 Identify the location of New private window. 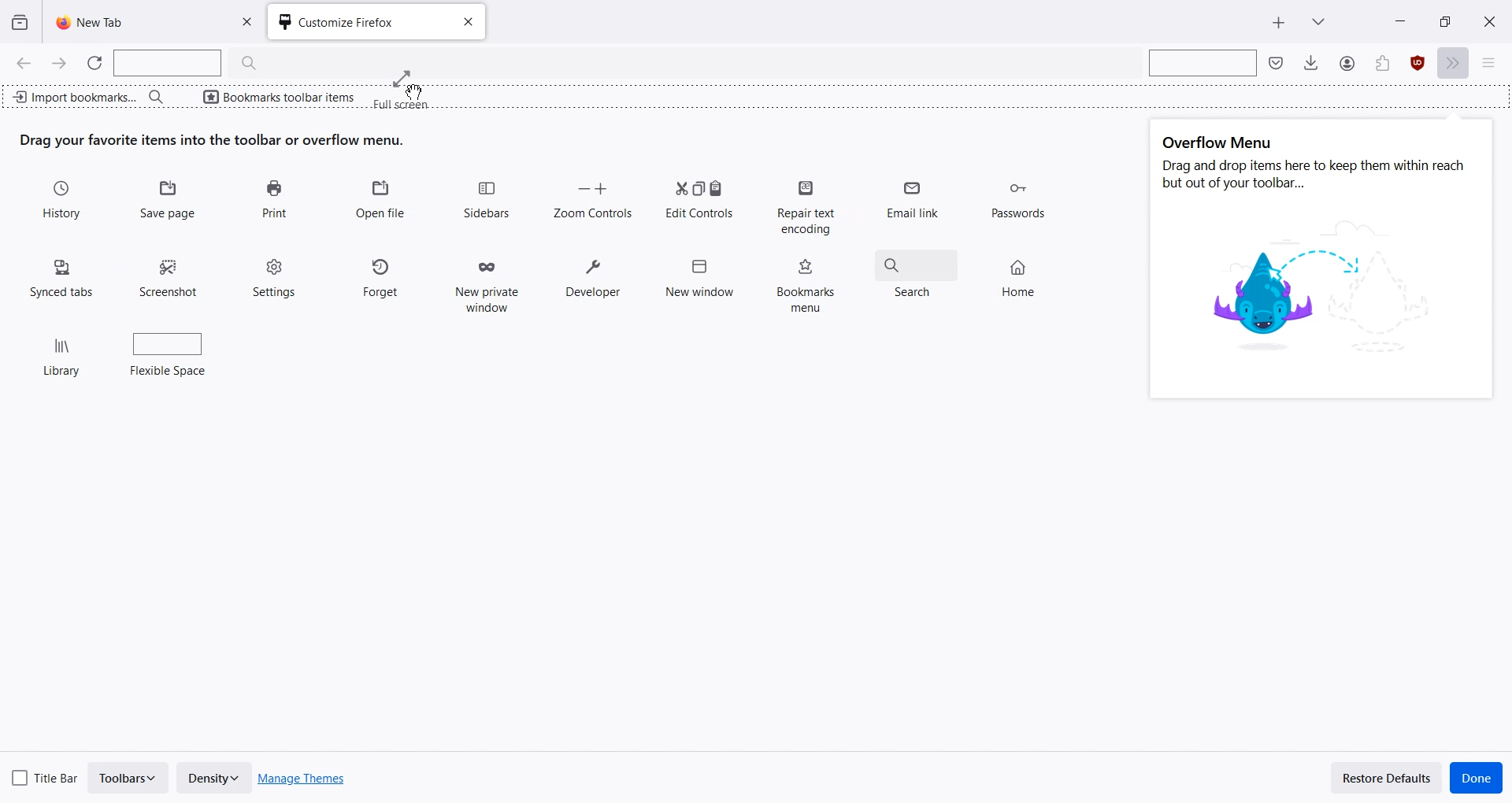
(485, 281).